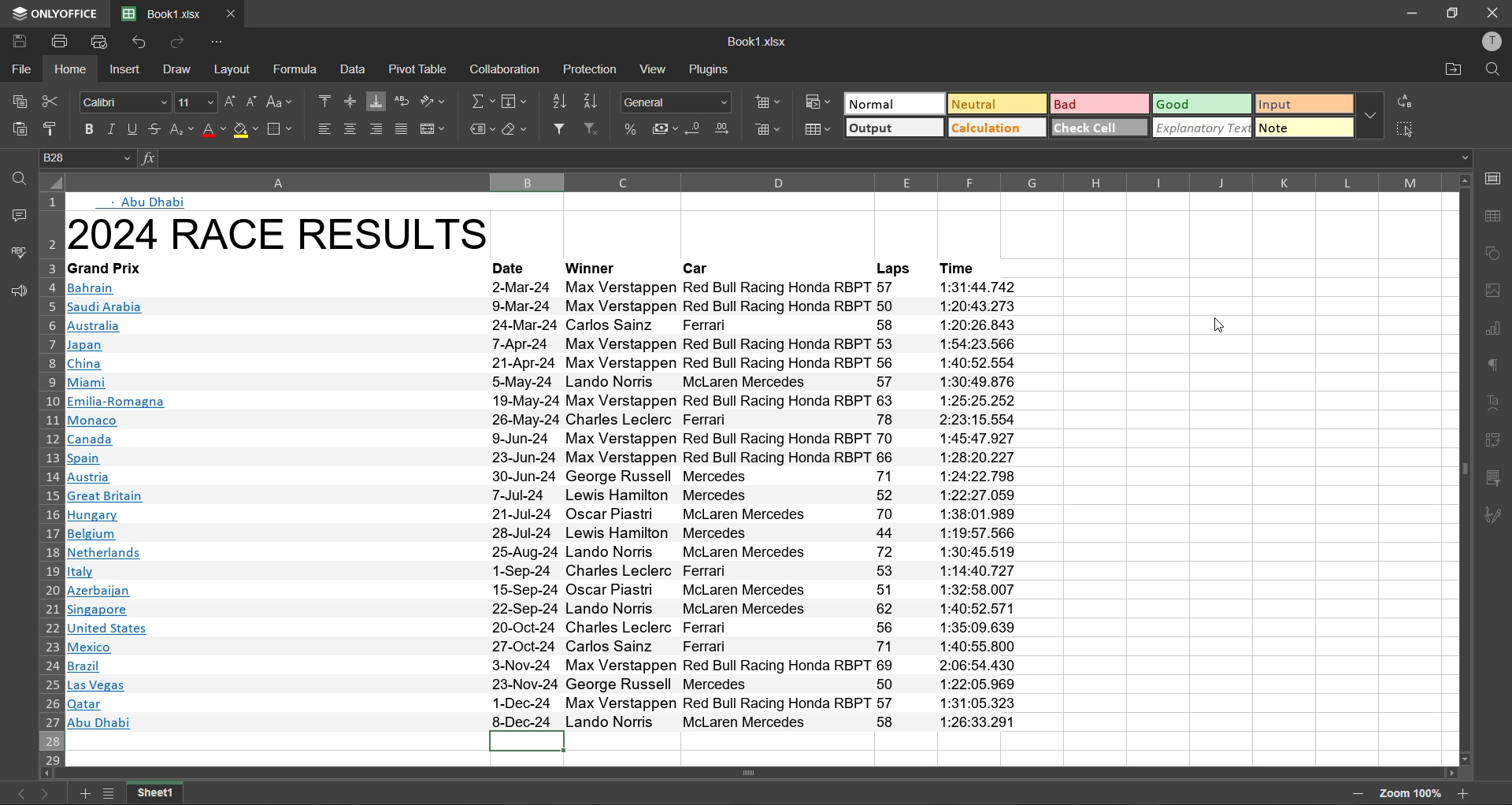  What do you see at coordinates (1497, 365) in the screenshot?
I see `paragraph` at bounding box center [1497, 365].